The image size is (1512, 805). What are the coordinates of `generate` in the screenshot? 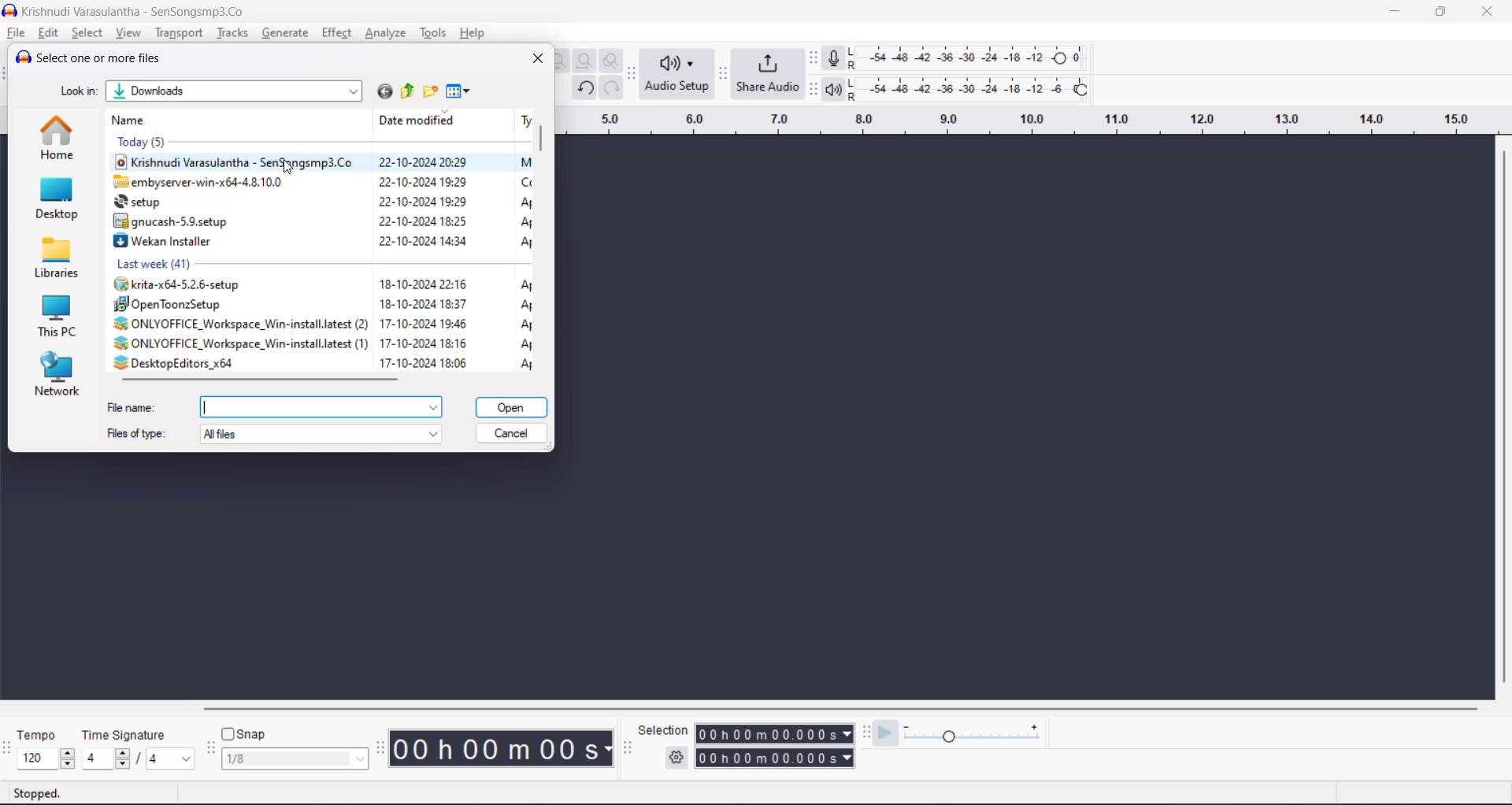 It's located at (285, 34).